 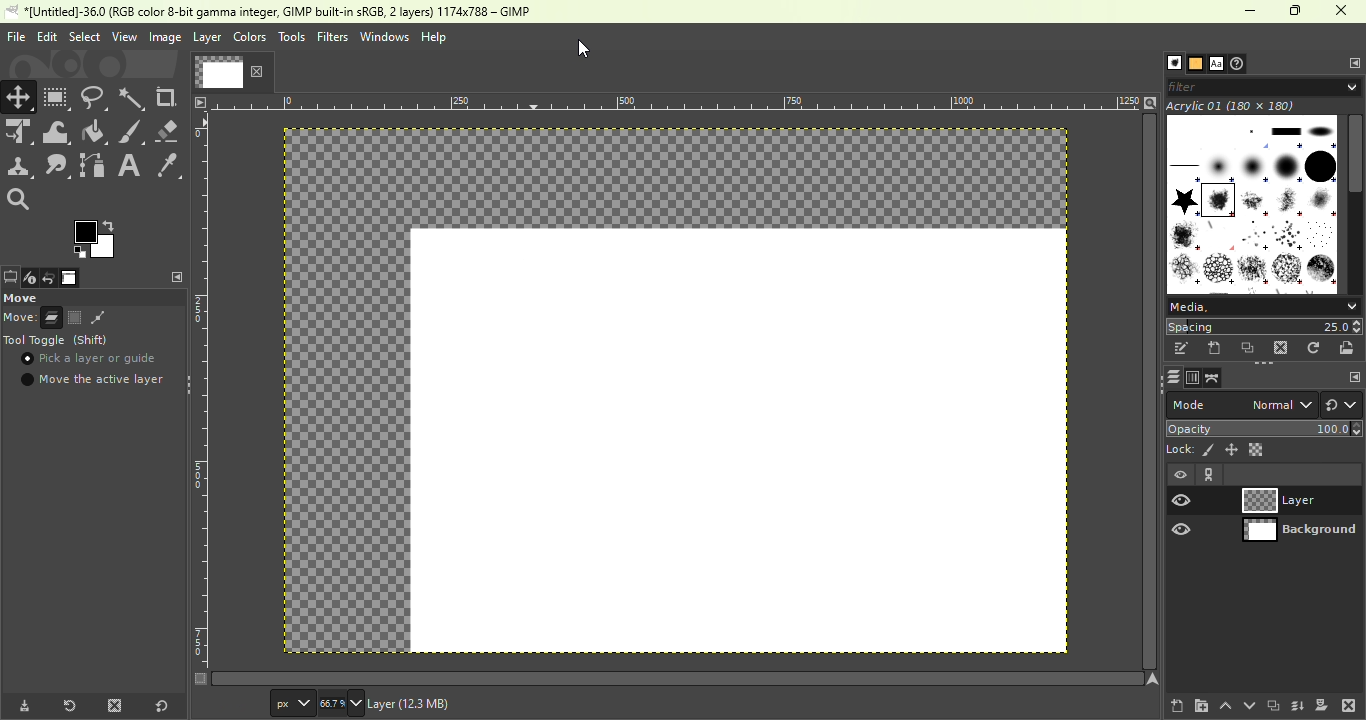 What do you see at coordinates (1150, 101) in the screenshot?
I see `Zoom image` at bounding box center [1150, 101].